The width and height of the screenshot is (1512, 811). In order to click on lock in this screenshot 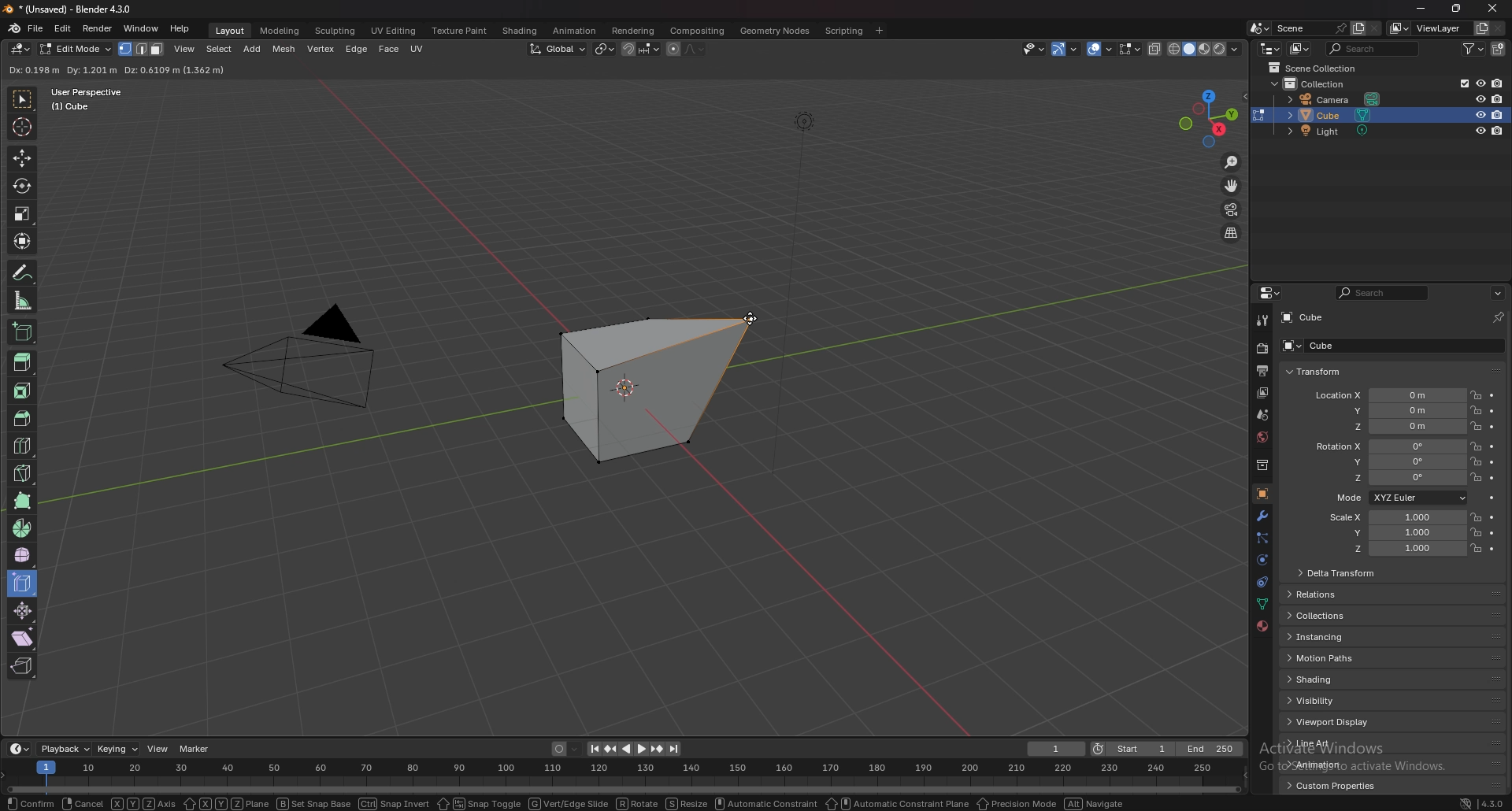, I will do `click(1477, 548)`.